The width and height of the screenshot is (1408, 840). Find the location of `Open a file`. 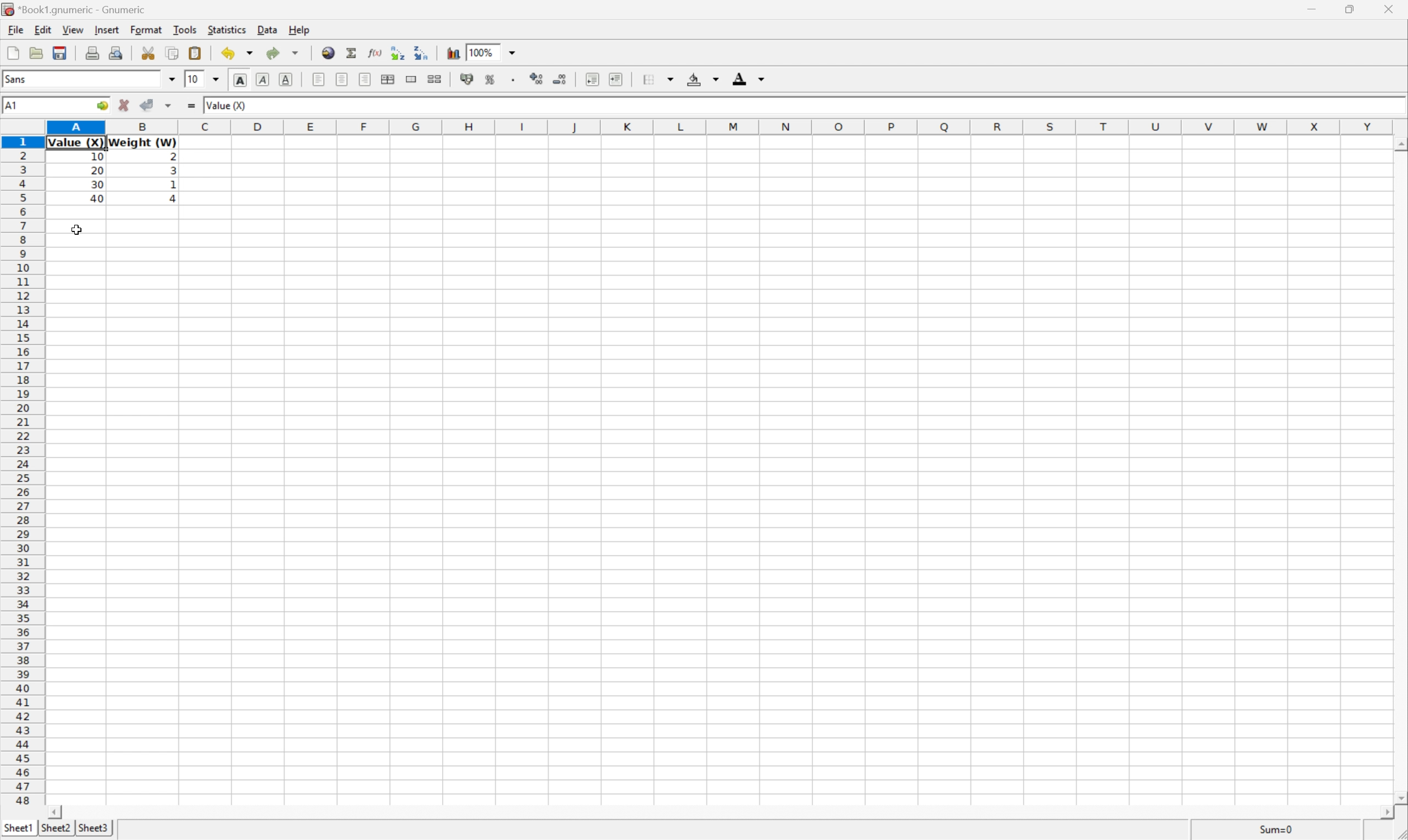

Open a file is located at coordinates (33, 53).